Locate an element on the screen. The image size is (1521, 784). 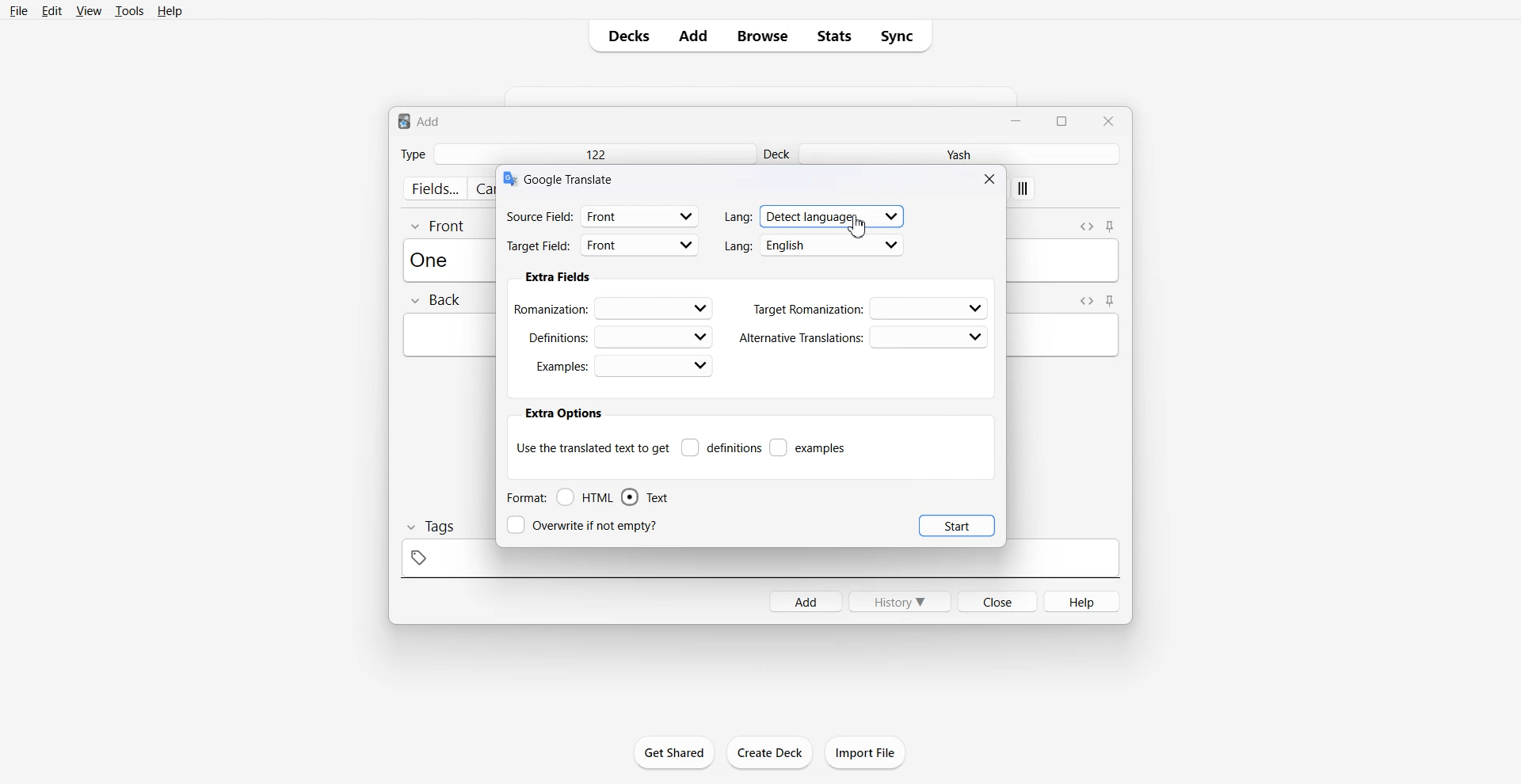
Alternative Translations is located at coordinates (863, 337).